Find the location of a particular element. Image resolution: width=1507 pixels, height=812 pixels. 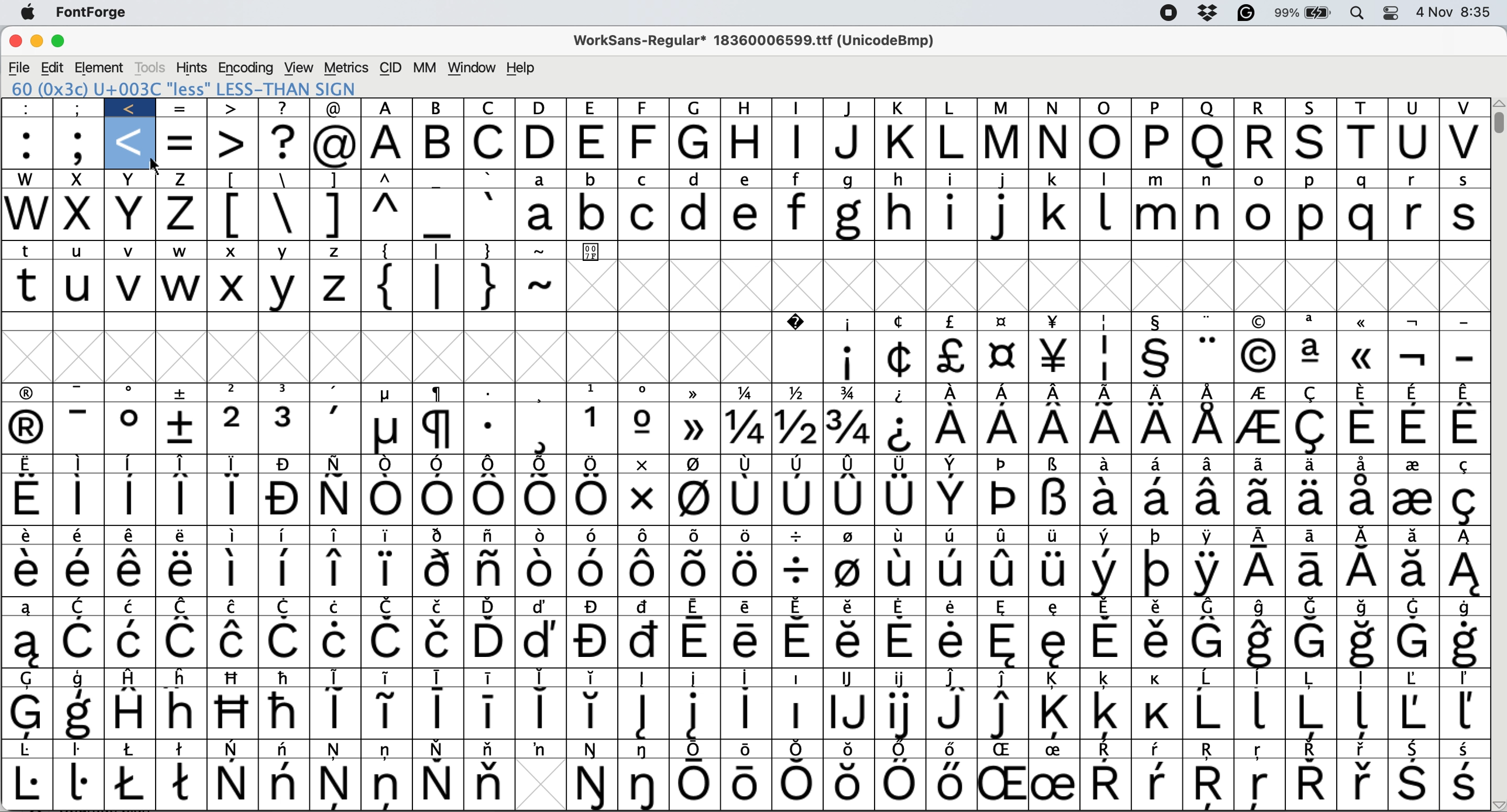

X is located at coordinates (232, 287).